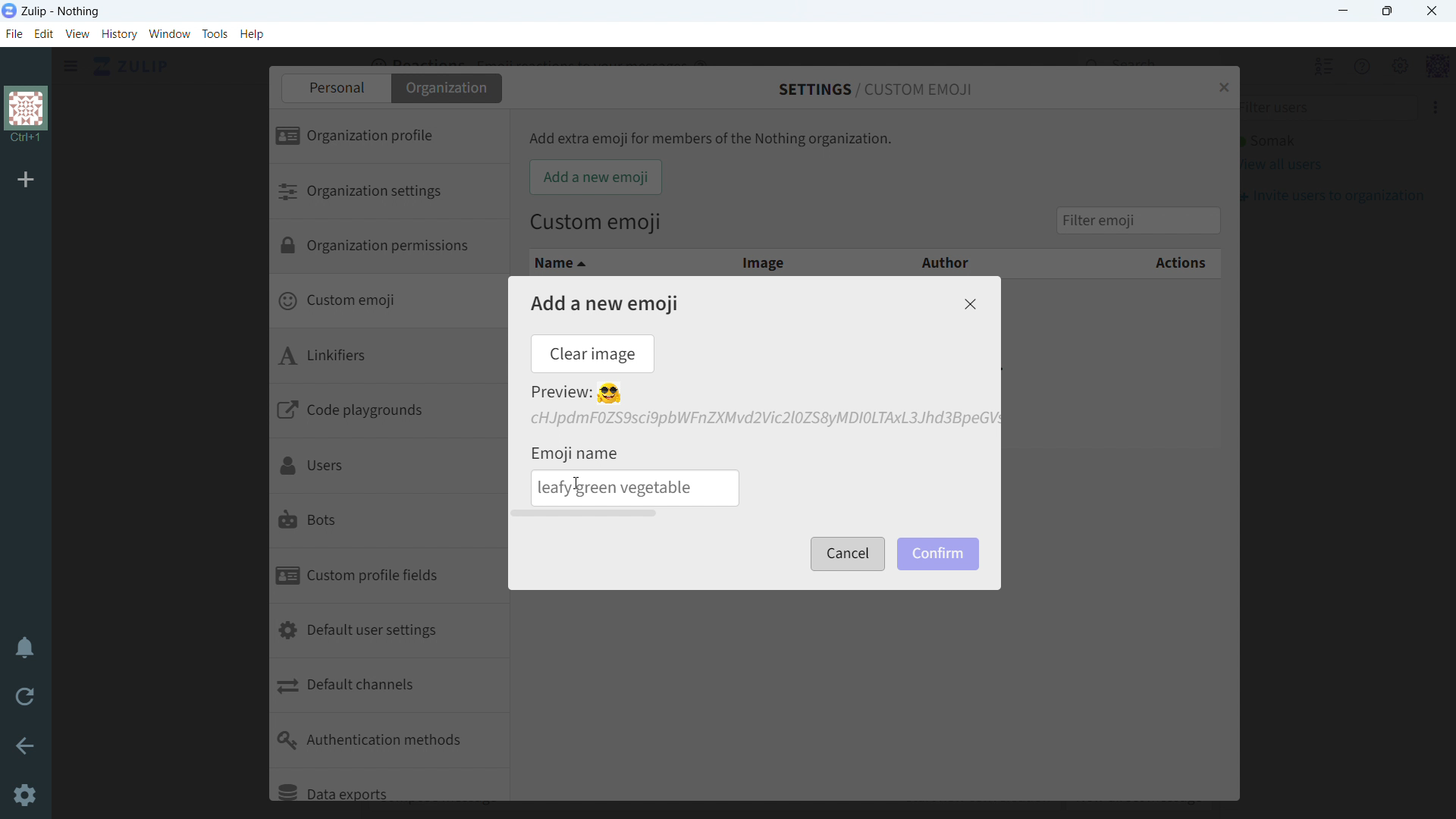  Describe the element at coordinates (23, 795) in the screenshot. I see `settings` at that location.